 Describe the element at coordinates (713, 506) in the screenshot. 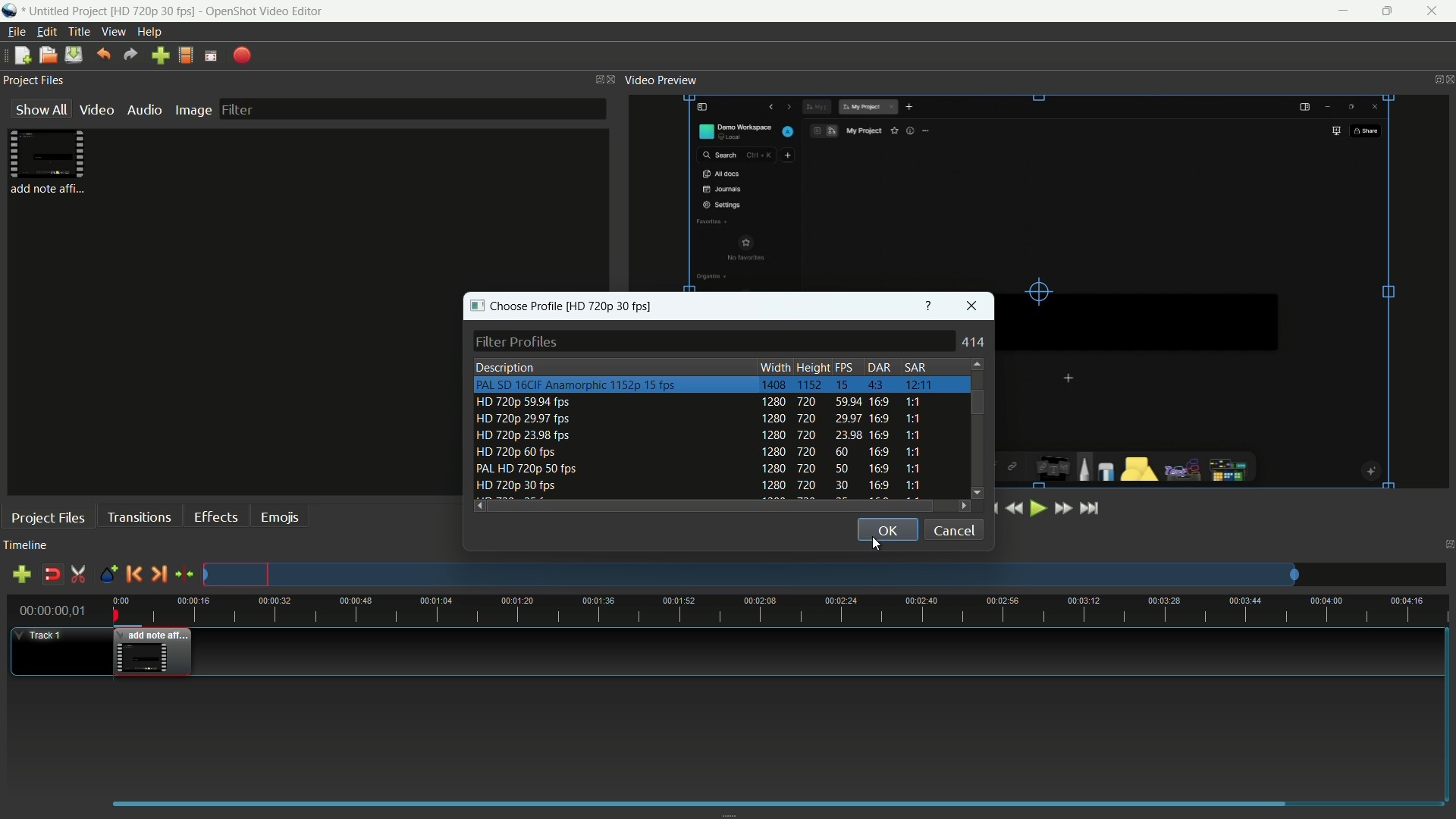

I see `scroll bar` at that location.